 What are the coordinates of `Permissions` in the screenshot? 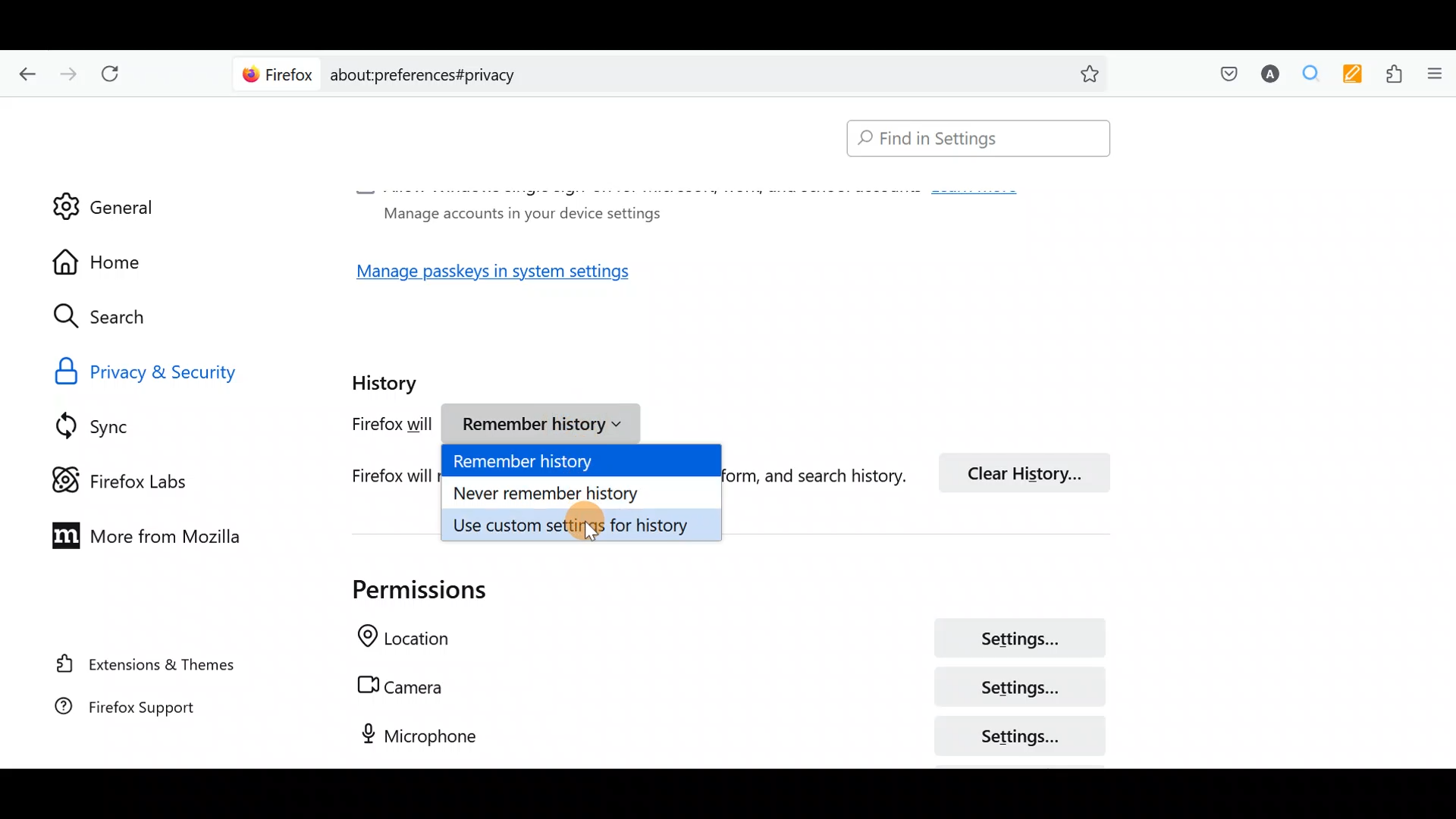 It's located at (403, 589).